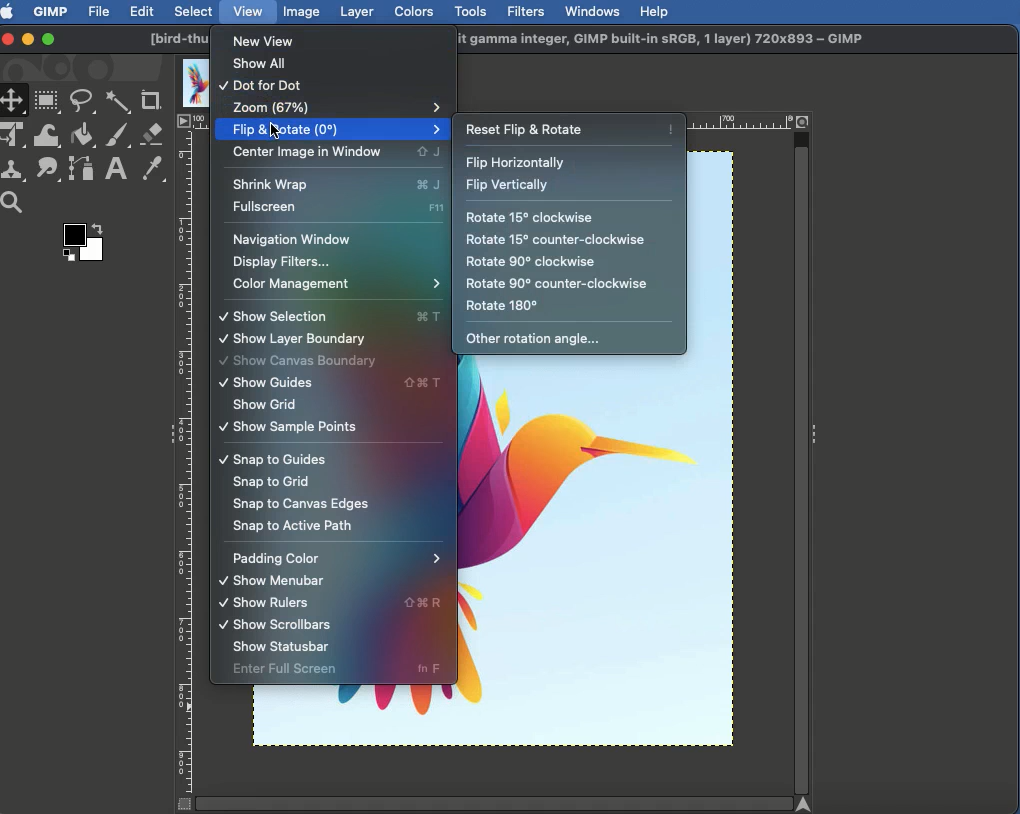  What do you see at coordinates (504, 306) in the screenshot?
I see `Rotate 180` at bounding box center [504, 306].